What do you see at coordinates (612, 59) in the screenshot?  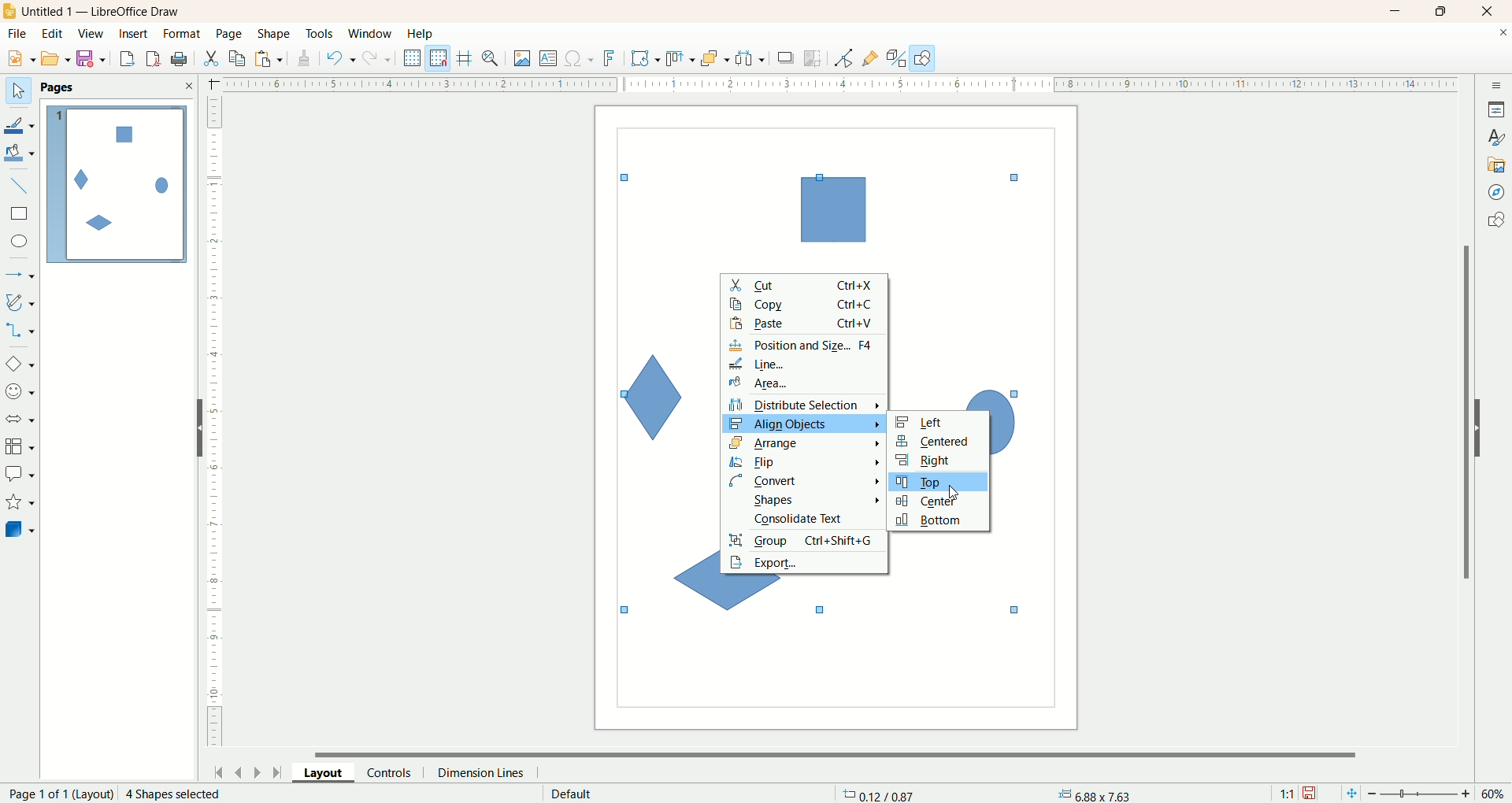 I see `fontwork text` at bounding box center [612, 59].